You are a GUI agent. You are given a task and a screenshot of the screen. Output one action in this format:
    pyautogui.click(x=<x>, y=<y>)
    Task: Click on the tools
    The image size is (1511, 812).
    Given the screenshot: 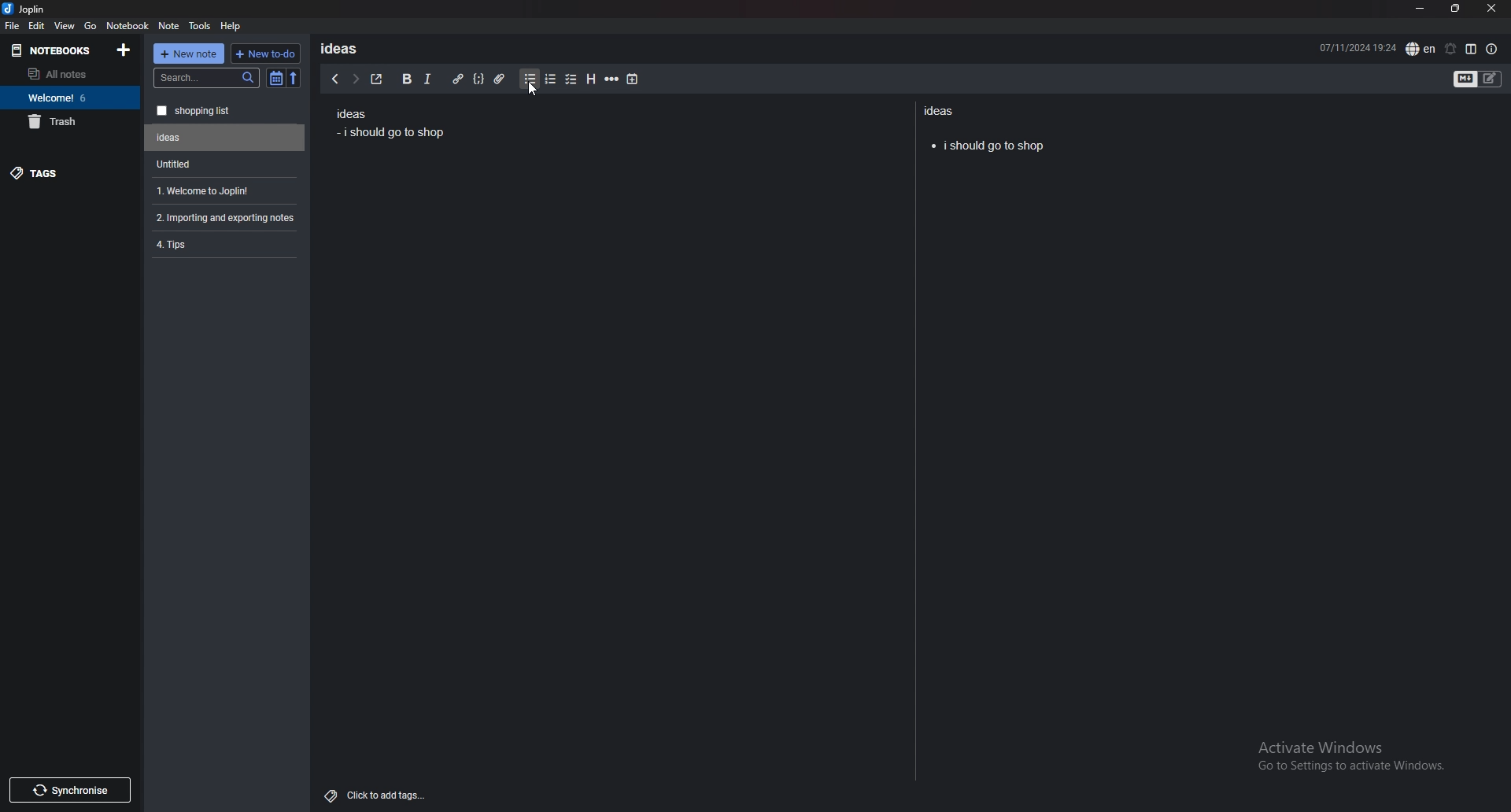 What is the action you would take?
    pyautogui.click(x=201, y=26)
    